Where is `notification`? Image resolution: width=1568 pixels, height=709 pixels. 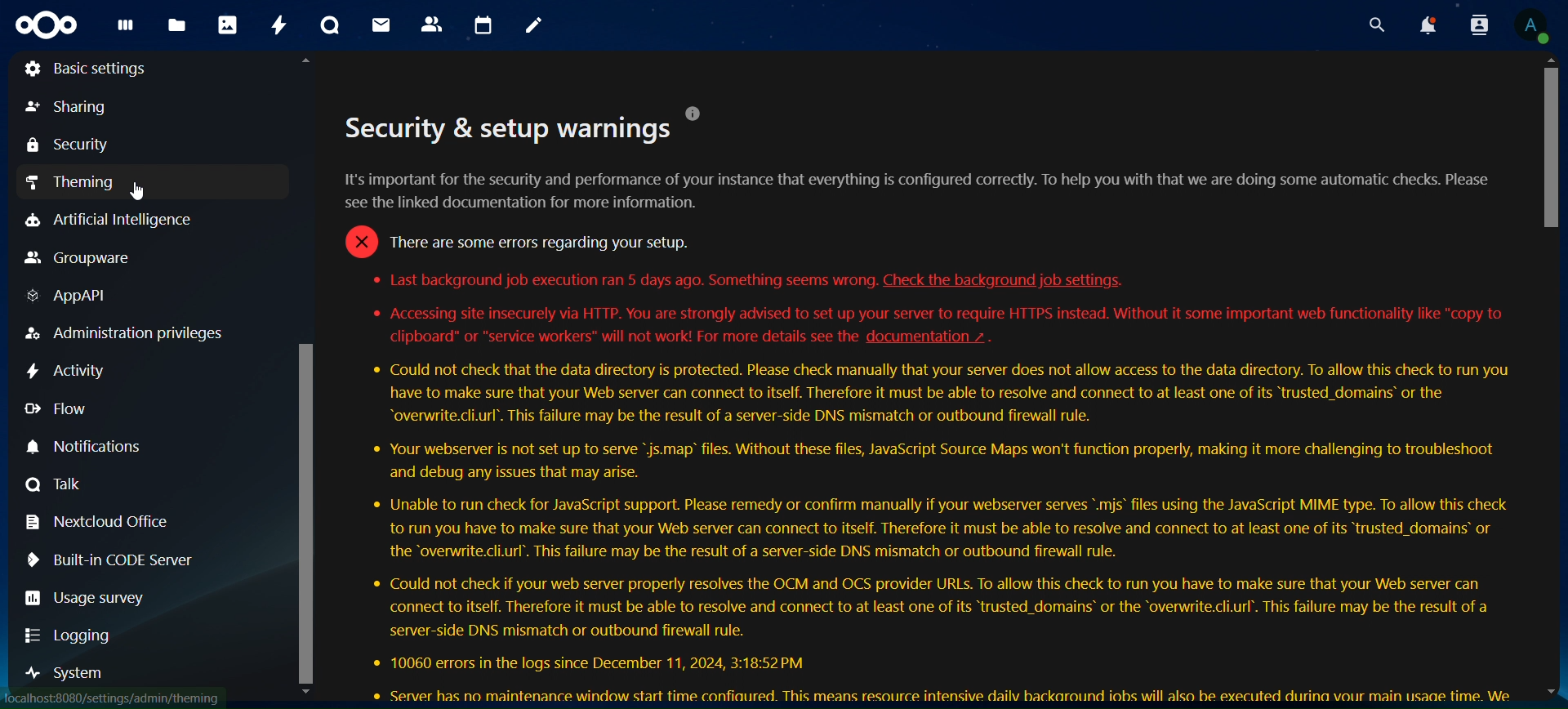 notification is located at coordinates (110, 447).